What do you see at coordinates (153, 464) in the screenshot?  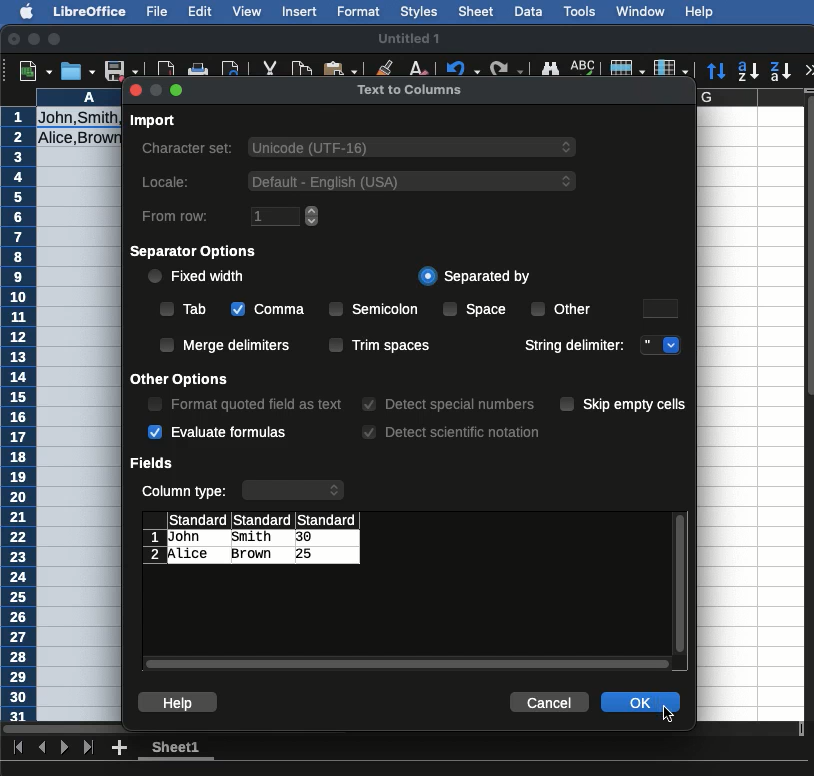 I see `Fields` at bounding box center [153, 464].